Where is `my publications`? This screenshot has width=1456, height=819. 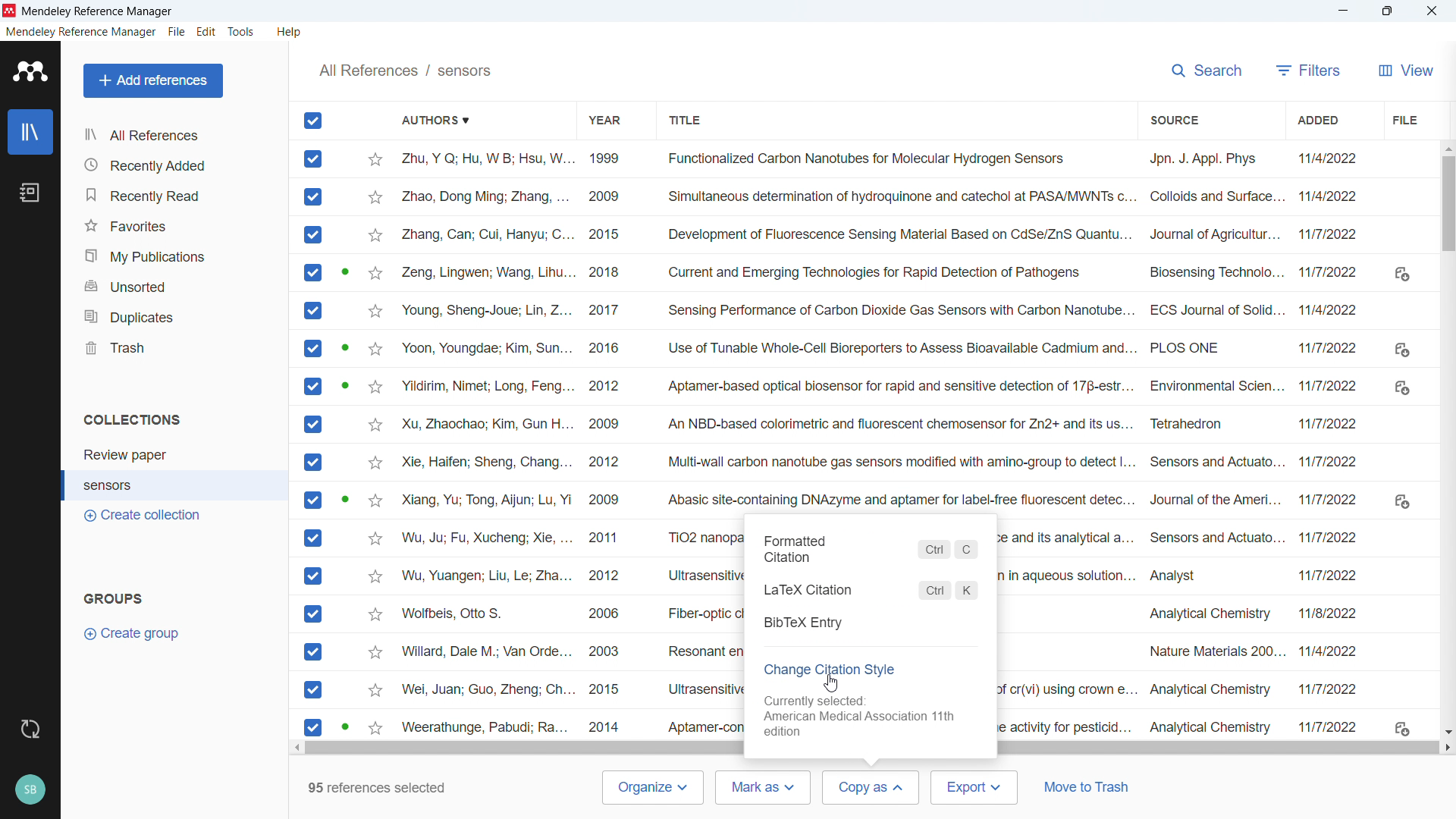
my publications is located at coordinates (175, 253).